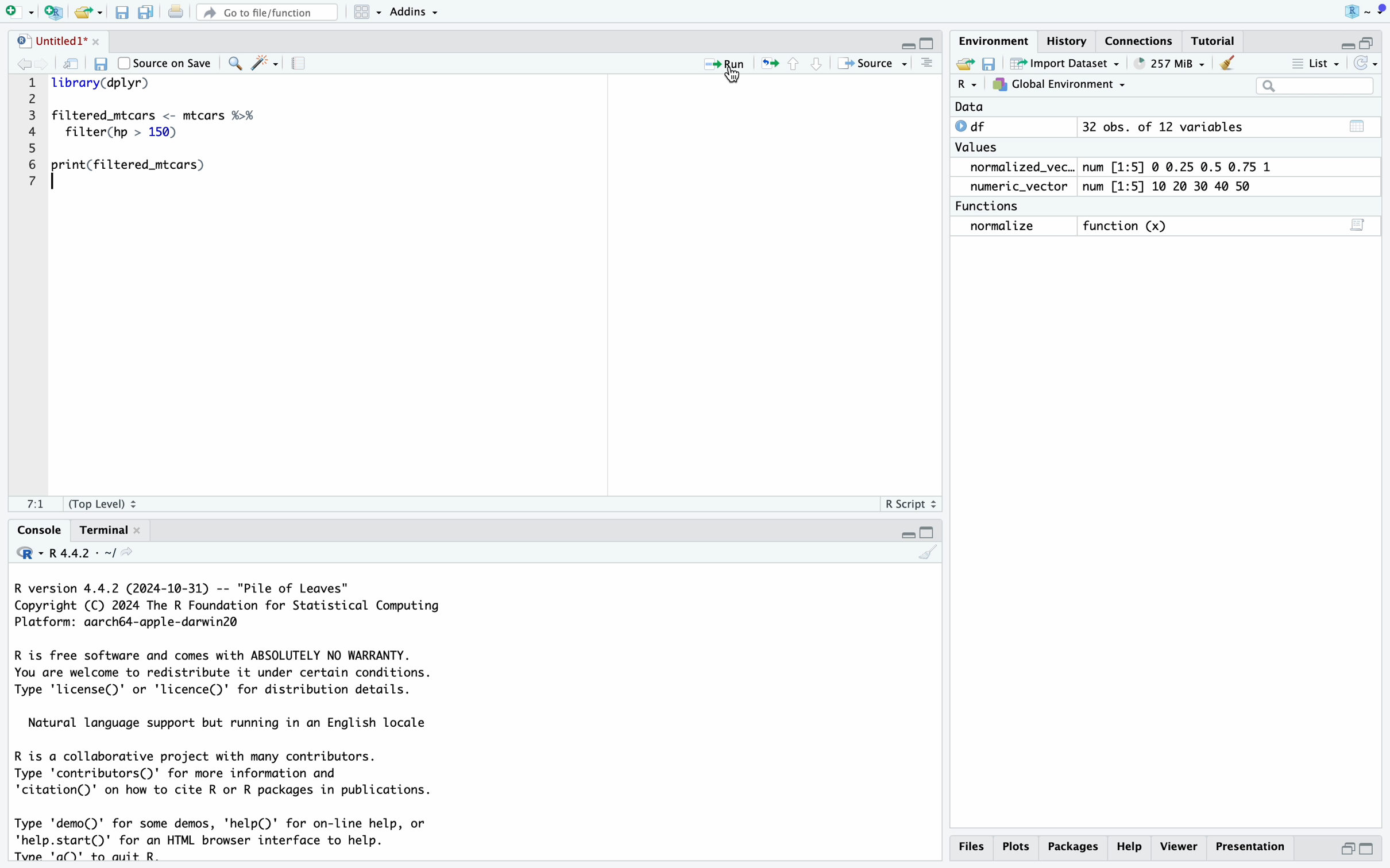 The image size is (1390, 868). What do you see at coordinates (967, 64) in the screenshot?
I see `open file` at bounding box center [967, 64].